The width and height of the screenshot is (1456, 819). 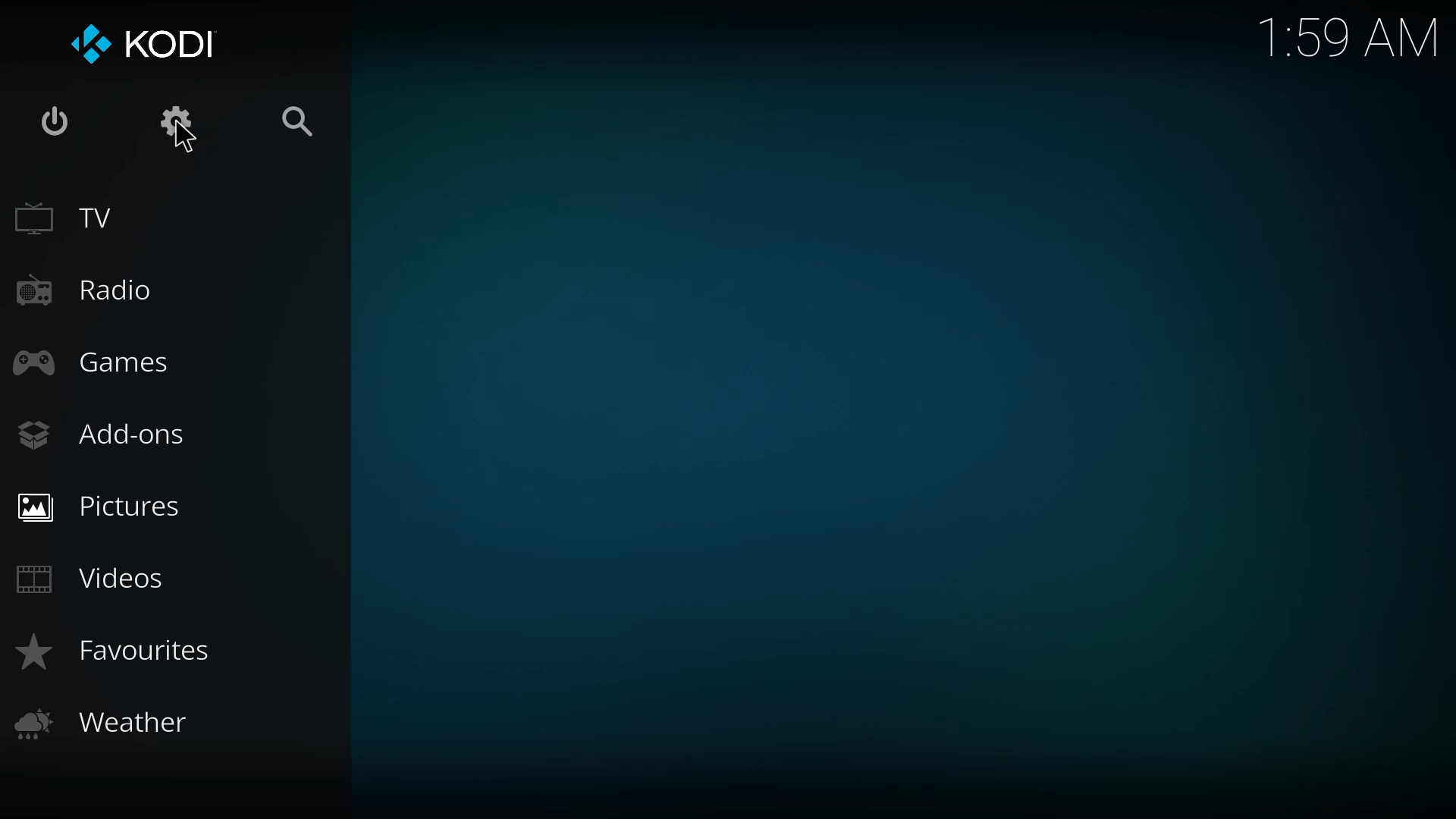 I want to click on cursor, so click(x=184, y=139).